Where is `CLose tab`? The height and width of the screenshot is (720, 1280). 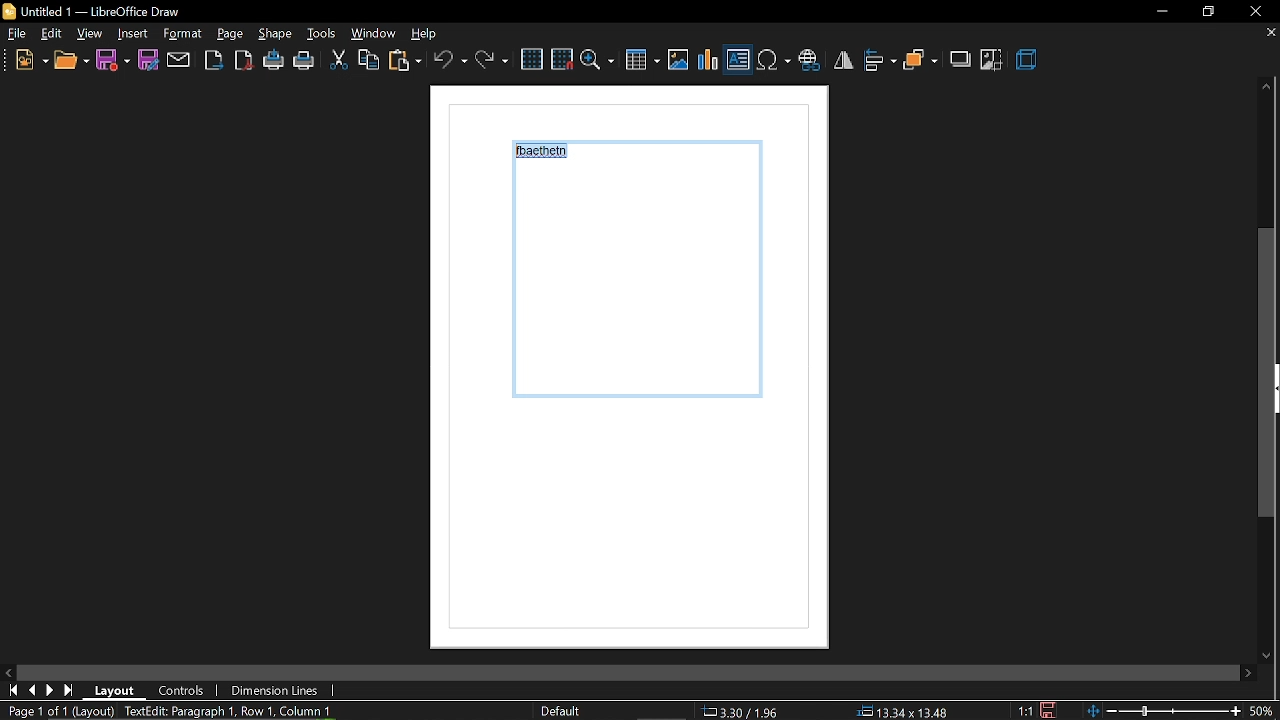 CLose tab is located at coordinates (1270, 33).